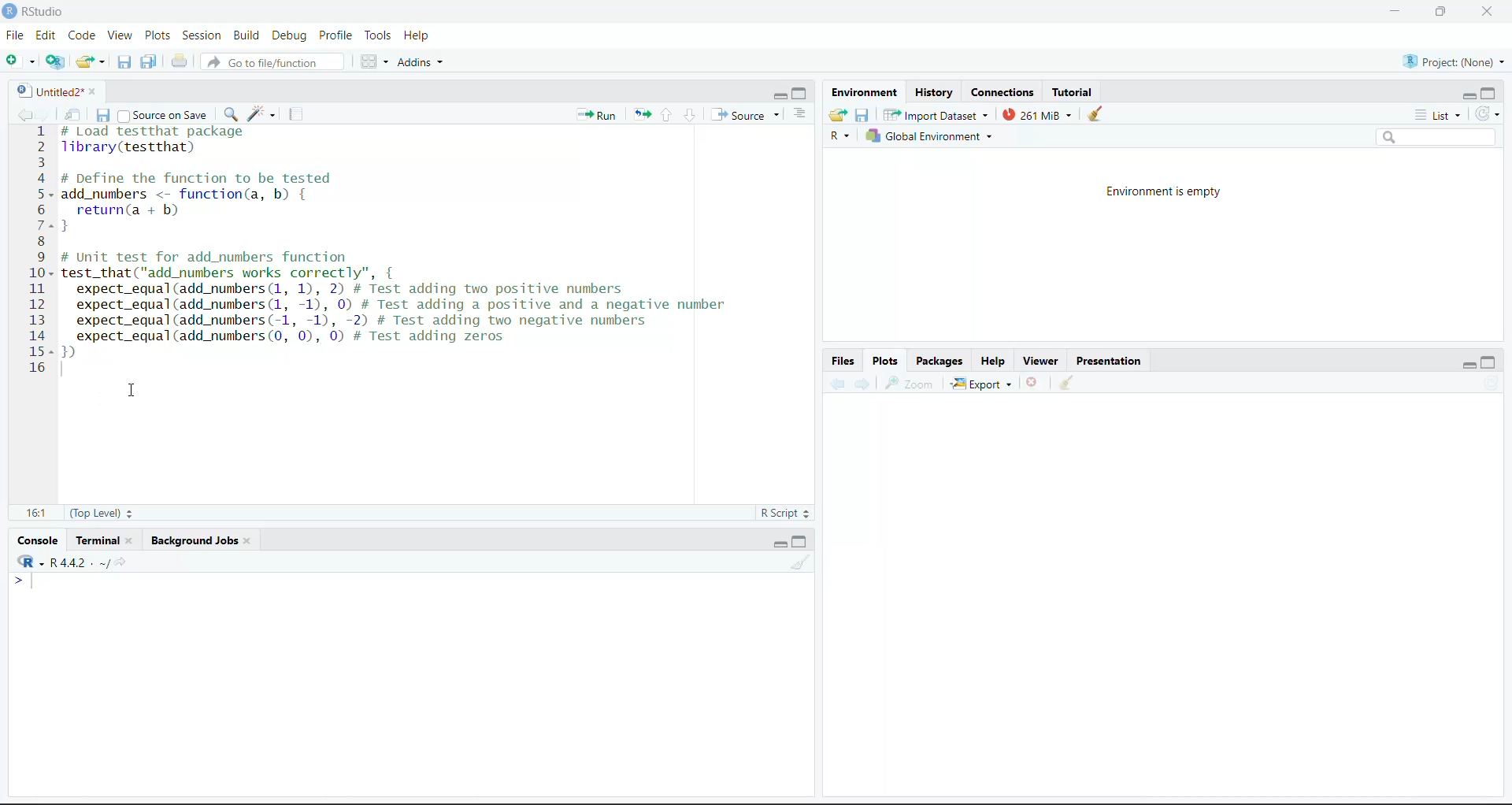 This screenshot has width=1512, height=805. Describe the element at coordinates (43, 12) in the screenshot. I see `RStudio` at that location.